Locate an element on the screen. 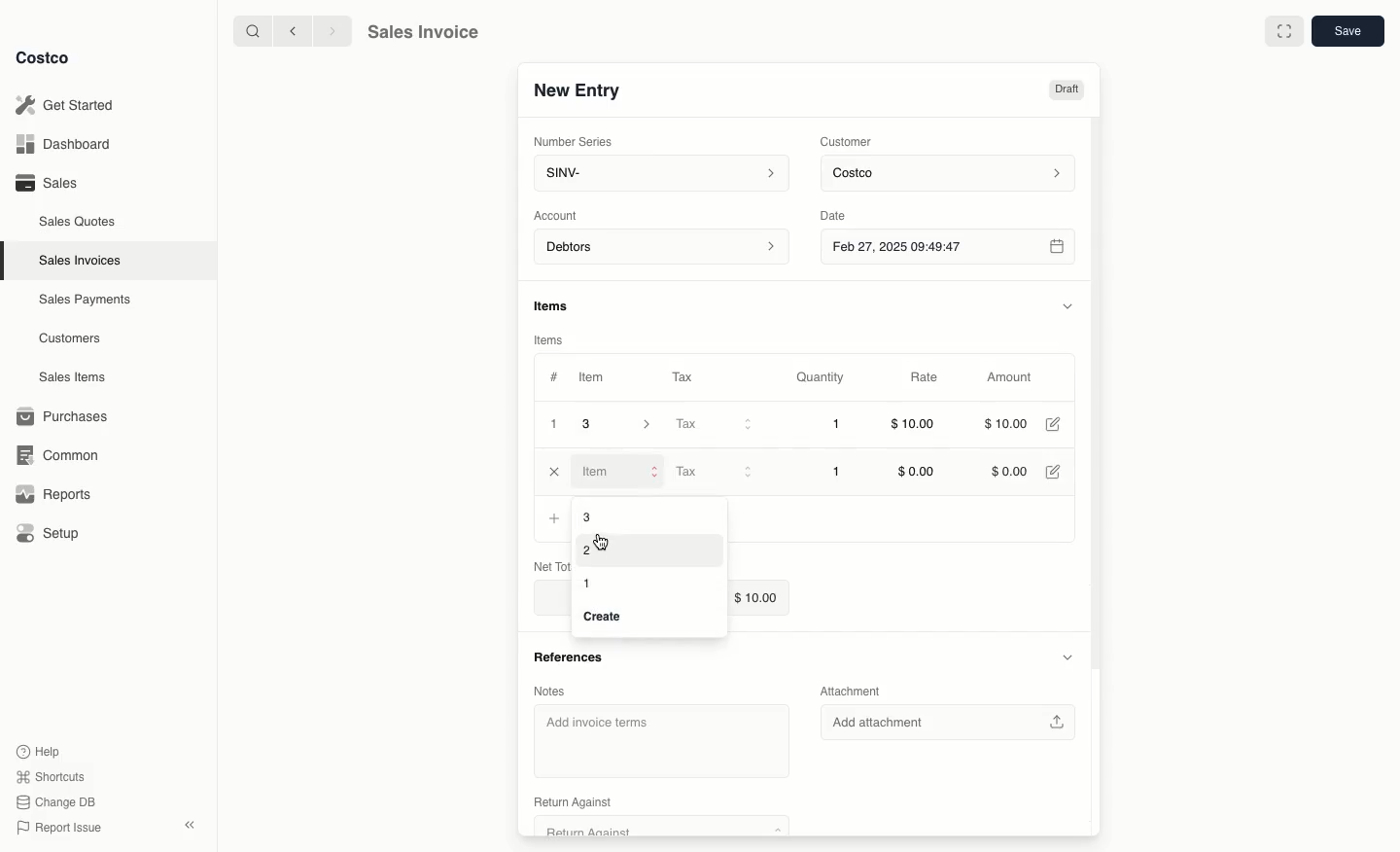 The width and height of the screenshot is (1400, 852). Rate is located at coordinates (926, 378).